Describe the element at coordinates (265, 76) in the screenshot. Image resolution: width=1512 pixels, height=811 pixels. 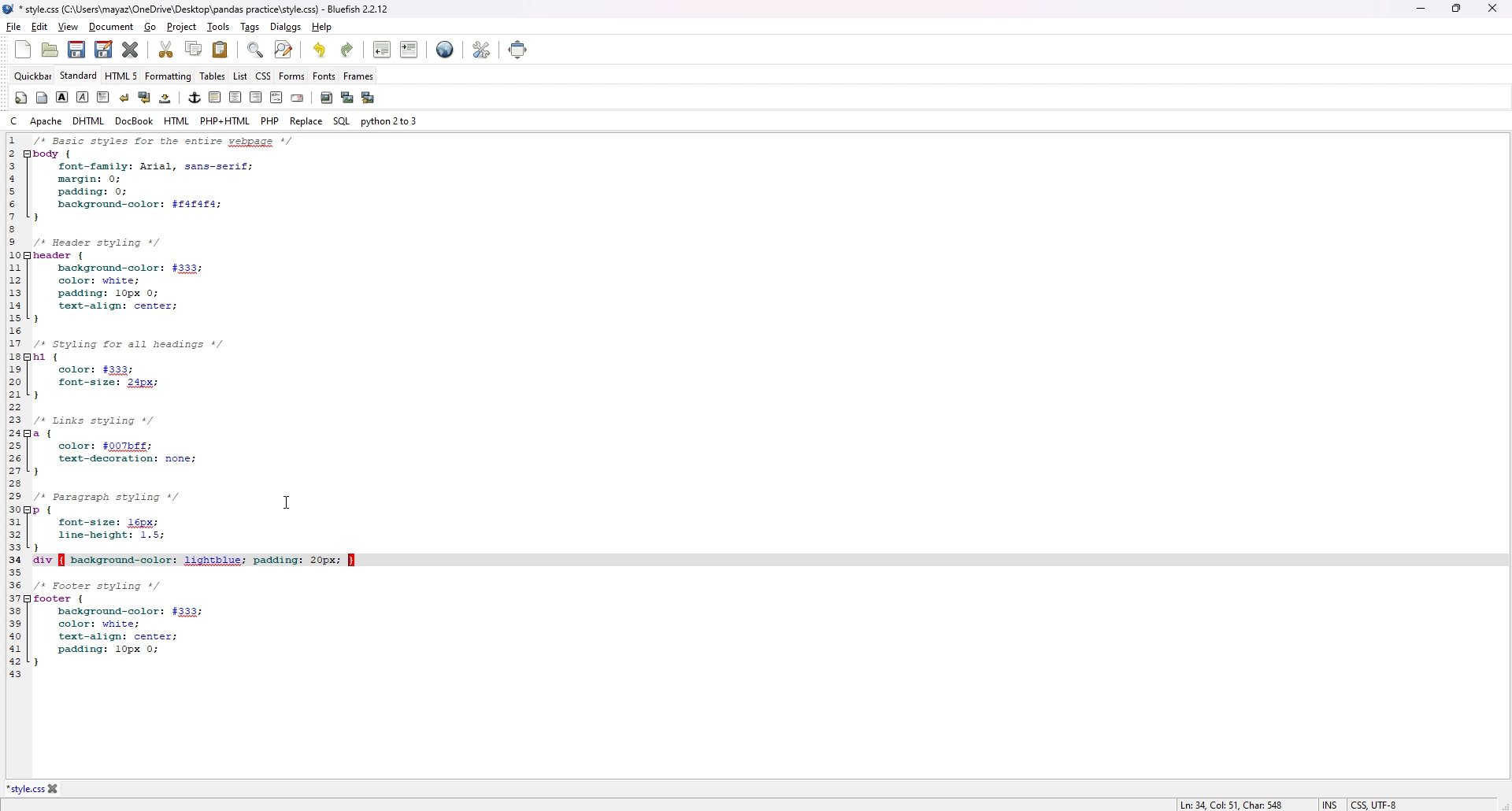
I see `css` at that location.